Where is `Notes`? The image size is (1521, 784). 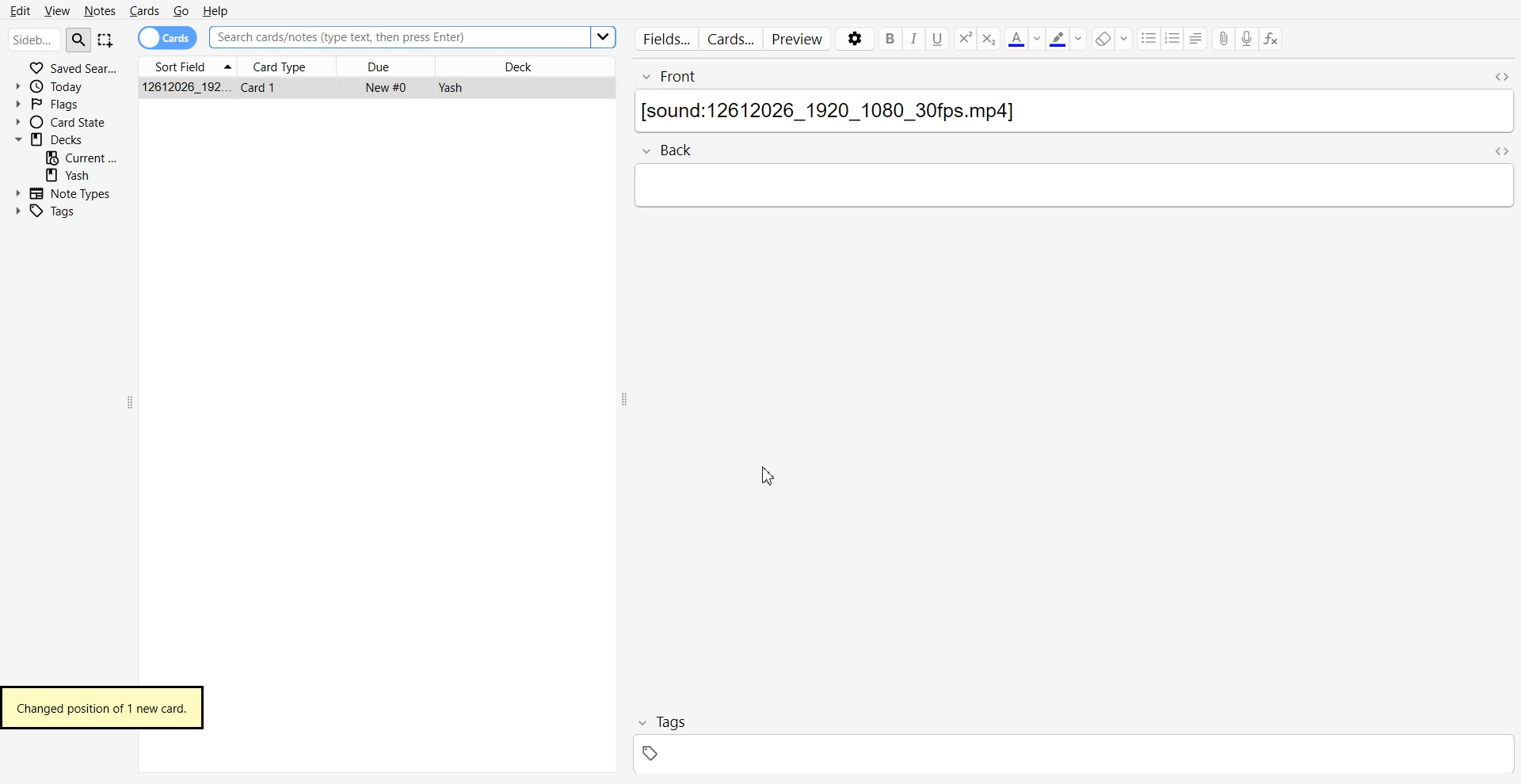
Notes is located at coordinates (100, 10).